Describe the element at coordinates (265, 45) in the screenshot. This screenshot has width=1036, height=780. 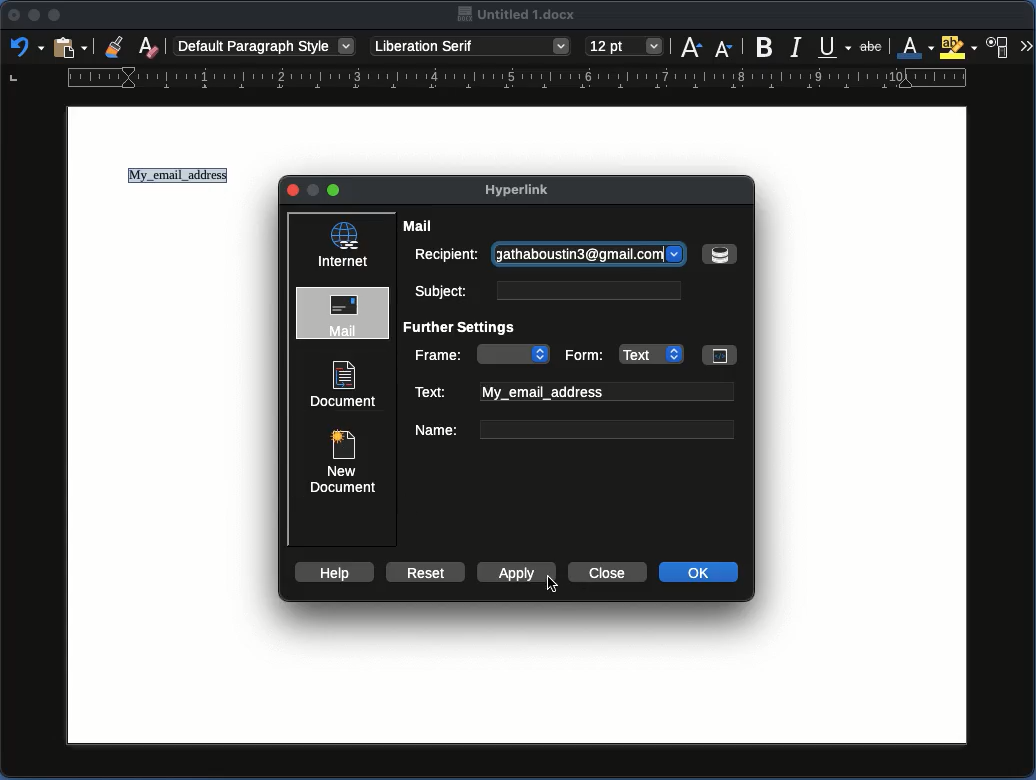
I see `Default paragraph style` at that location.